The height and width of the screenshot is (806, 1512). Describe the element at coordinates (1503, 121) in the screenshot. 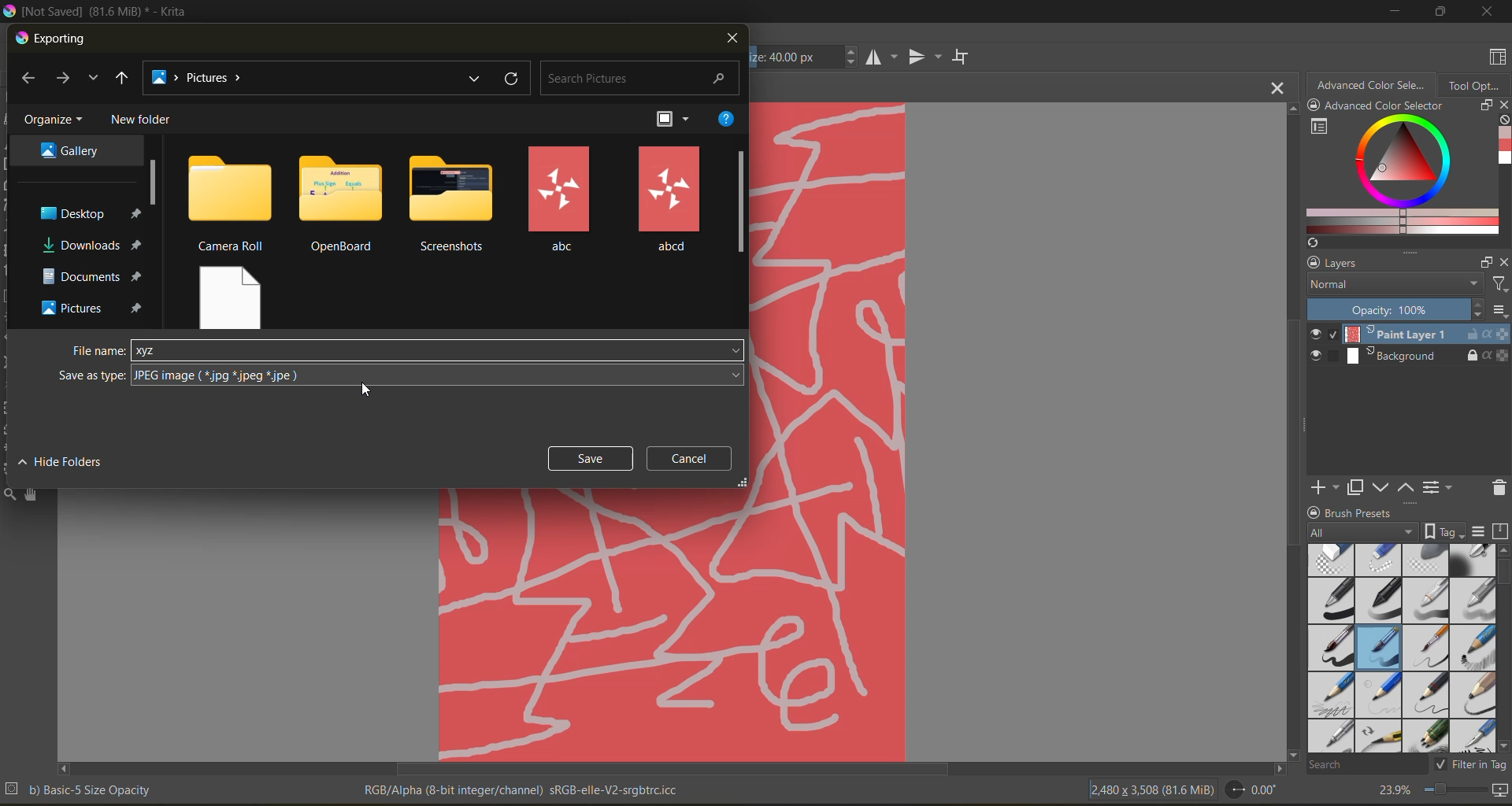

I see `clear all color history` at that location.